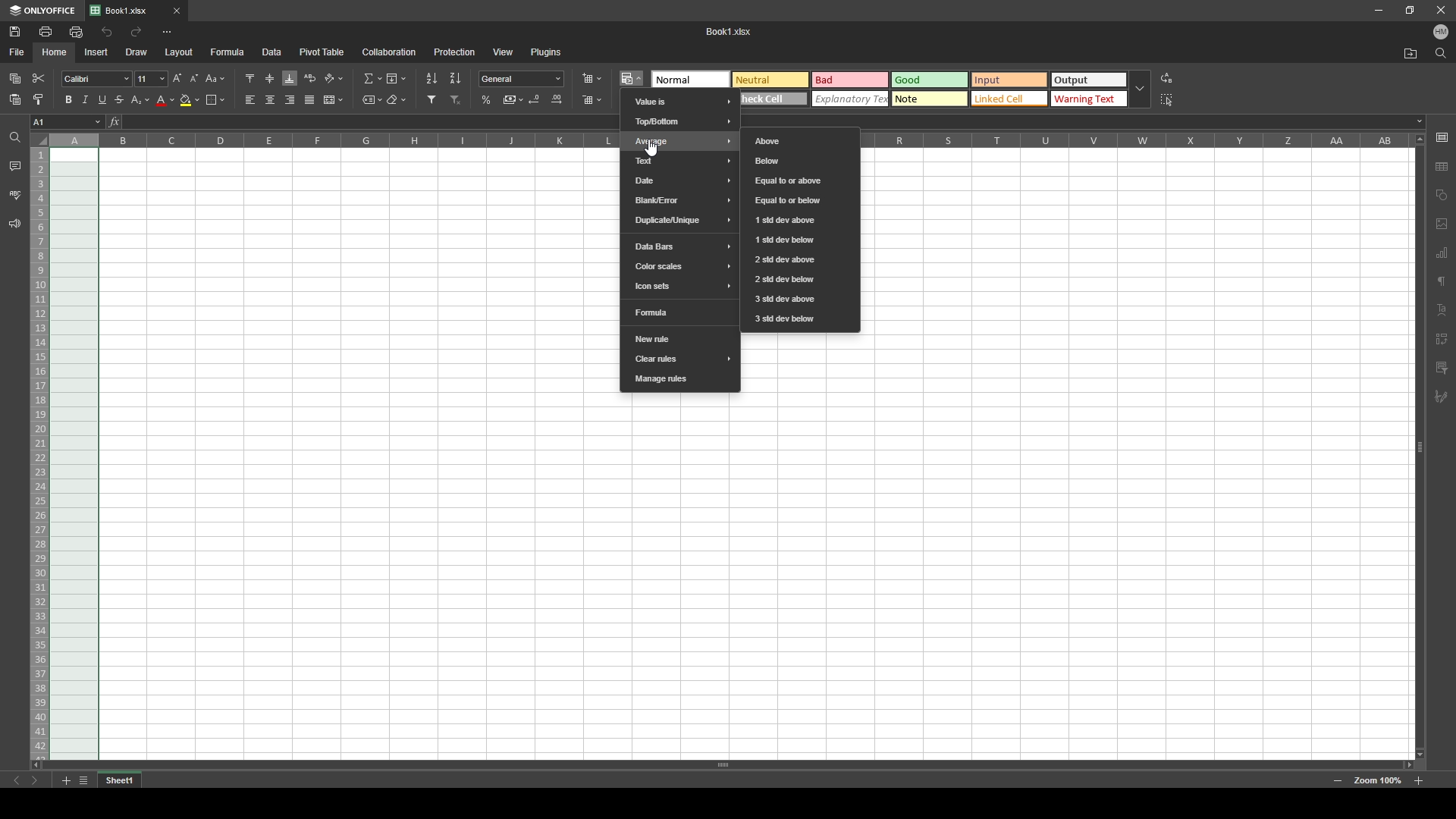  Describe the element at coordinates (800, 181) in the screenshot. I see `equal to or above` at that location.